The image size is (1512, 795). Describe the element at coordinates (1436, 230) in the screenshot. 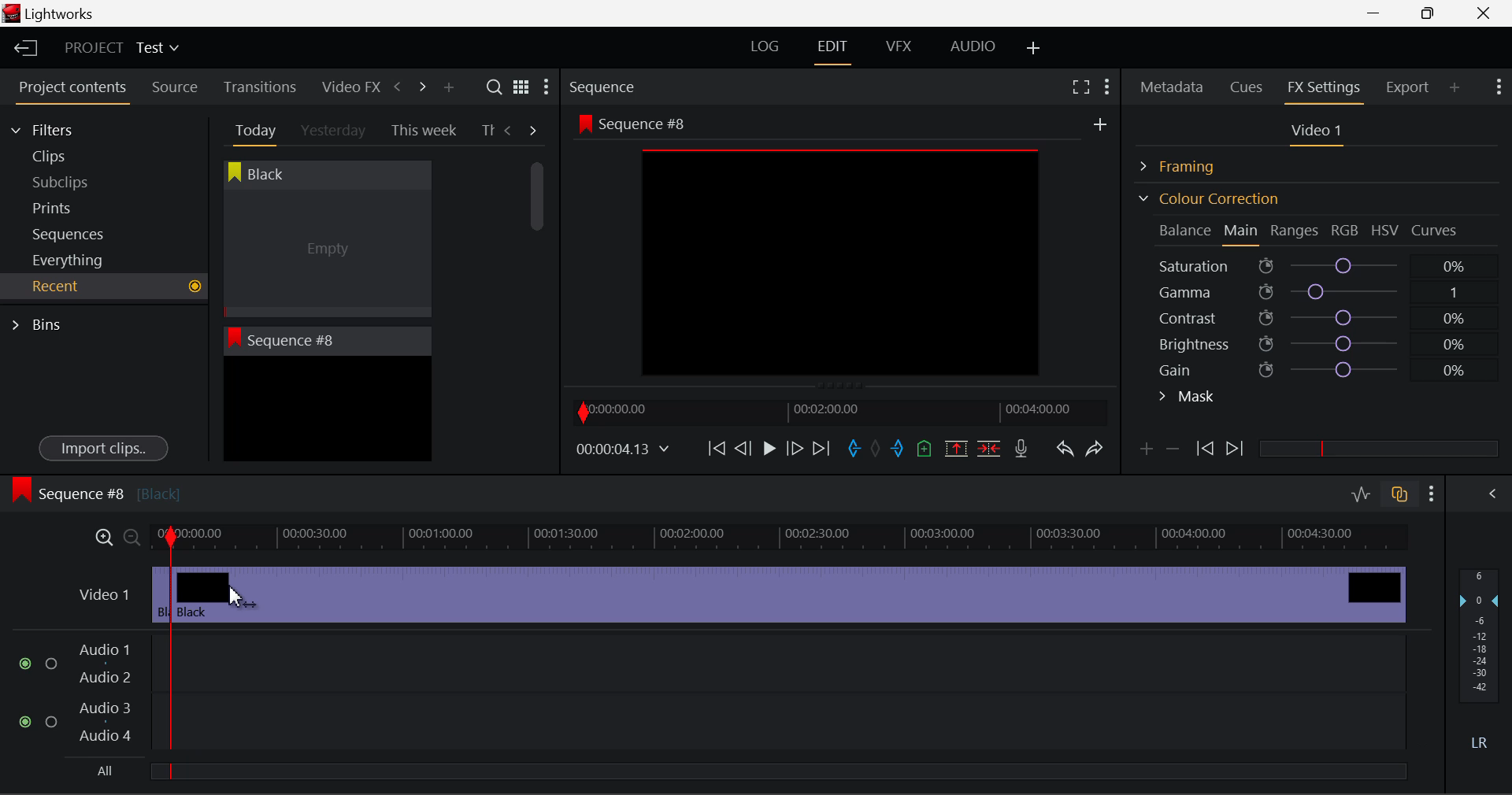

I see `Curves` at that location.